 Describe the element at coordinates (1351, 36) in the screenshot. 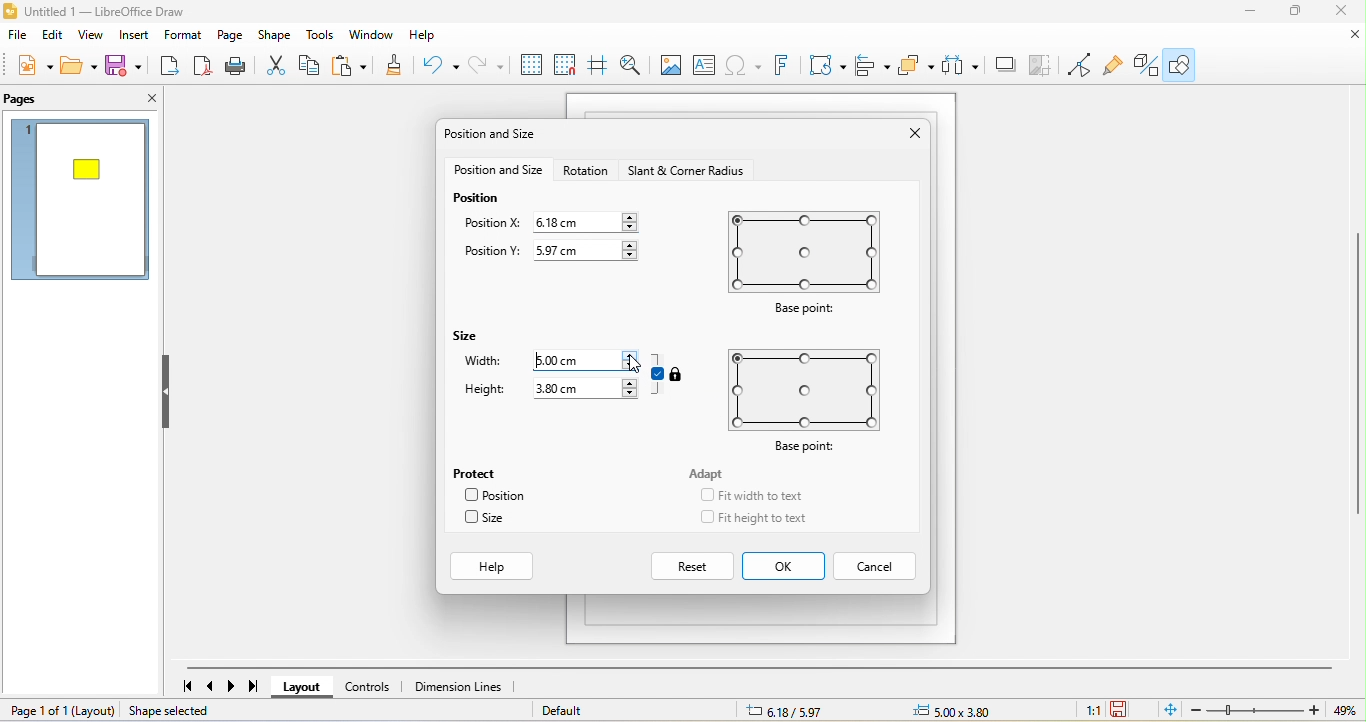

I see `close` at that location.